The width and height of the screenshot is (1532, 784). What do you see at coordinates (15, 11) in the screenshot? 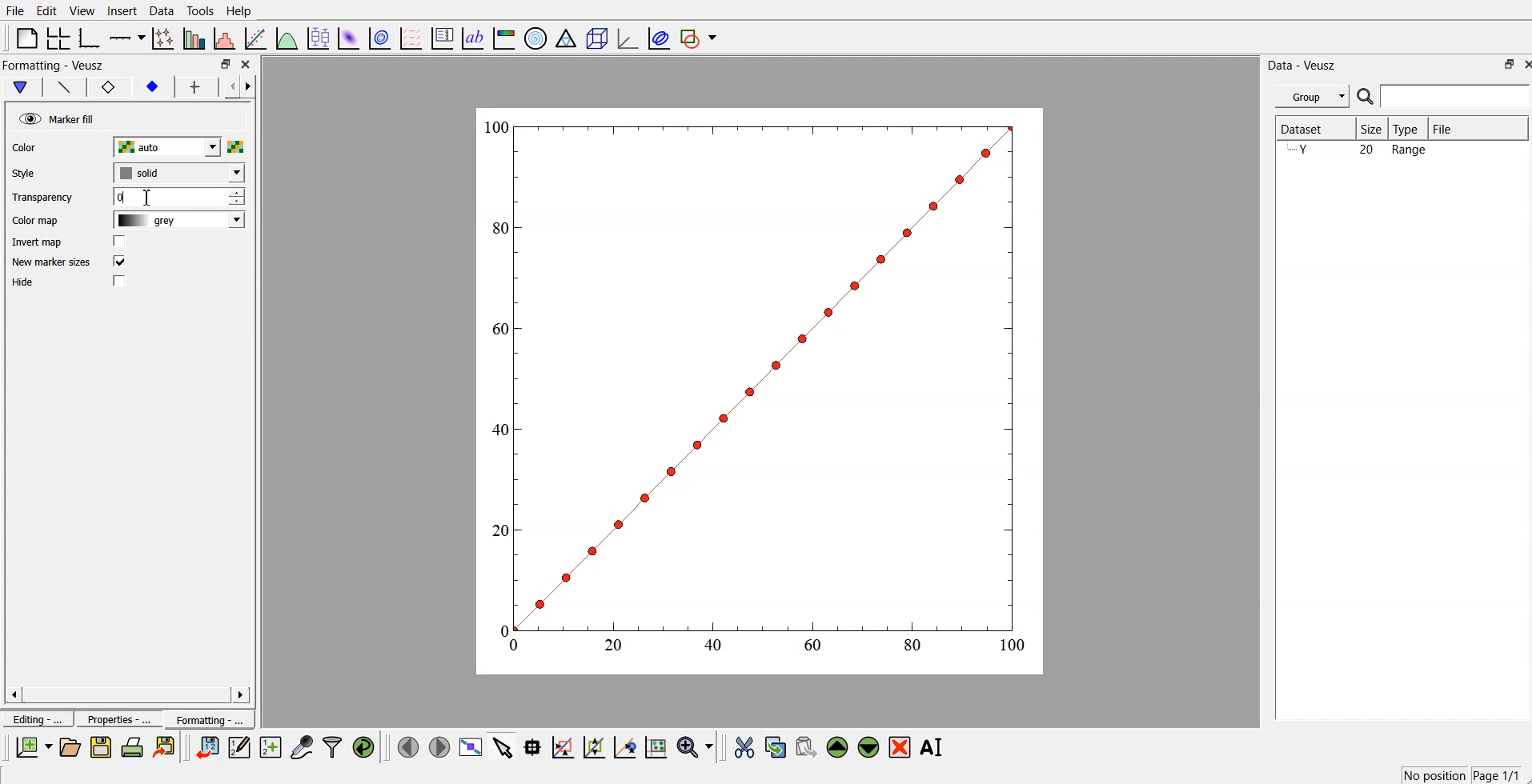
I see `File` at bounding box center [15, 11].